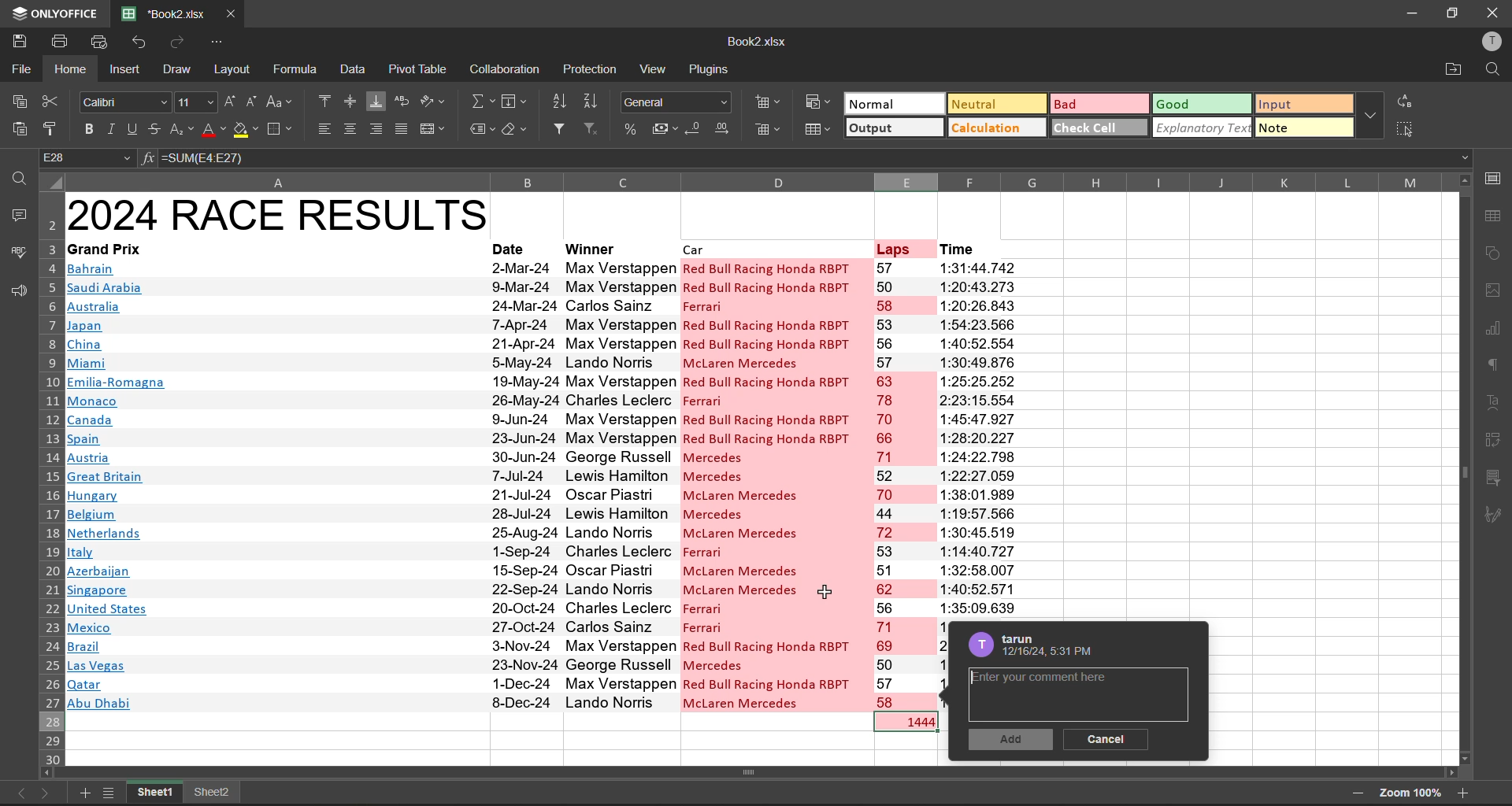  Describe the element at coordinates (656, 70) in the screenshot. I see `view` at that location.